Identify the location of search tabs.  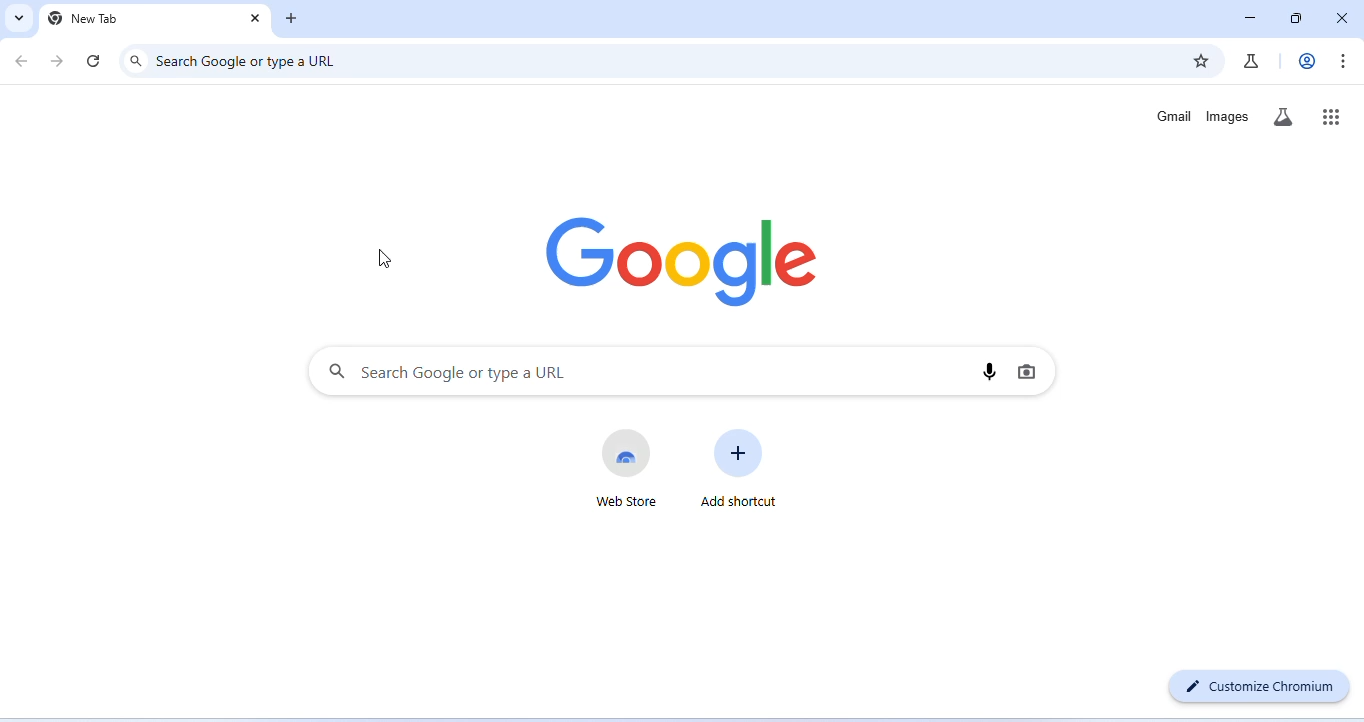
(20, 18).